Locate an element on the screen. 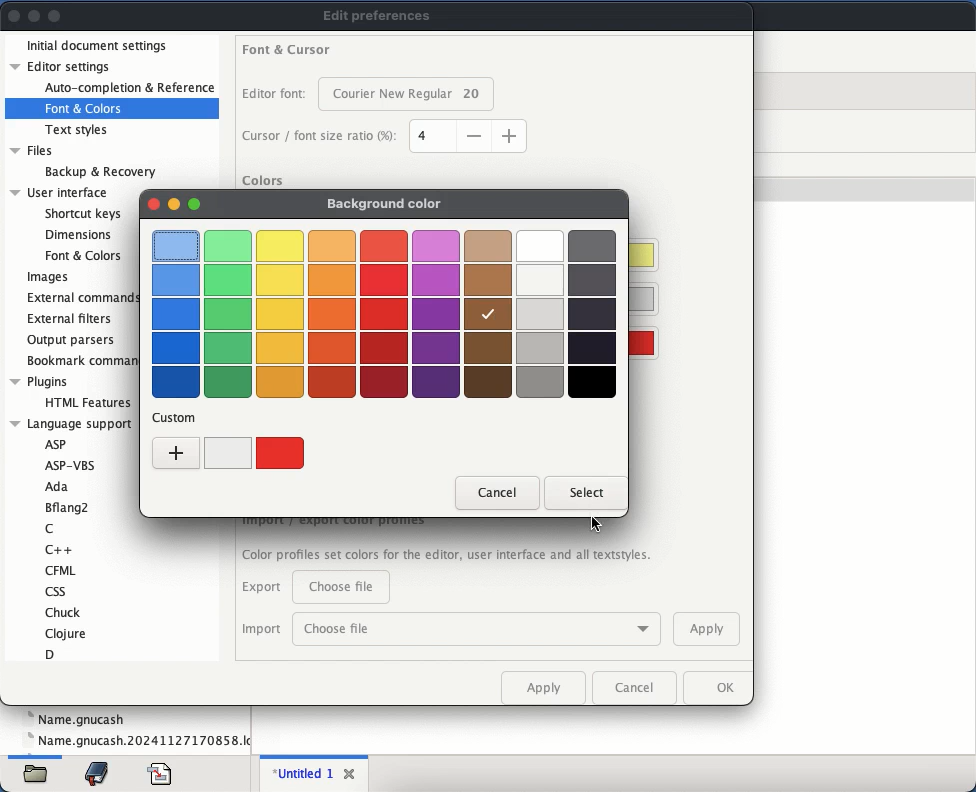 The width and height of the screenshot is (976, 792). Font & Colors is located at coordinates (82, 257).